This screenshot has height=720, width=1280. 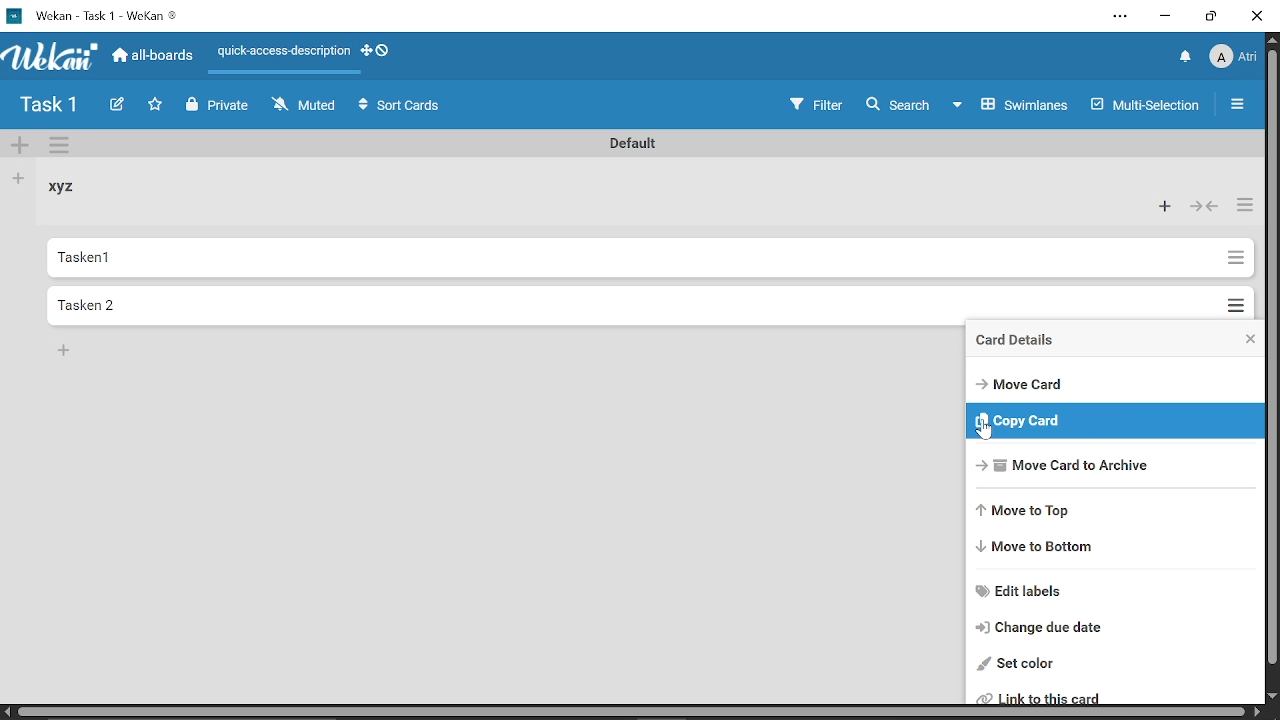 What do you see at coordinates (1110, 664) in the screenshot?
I see `Set color` at bounding box center [1110, 664].